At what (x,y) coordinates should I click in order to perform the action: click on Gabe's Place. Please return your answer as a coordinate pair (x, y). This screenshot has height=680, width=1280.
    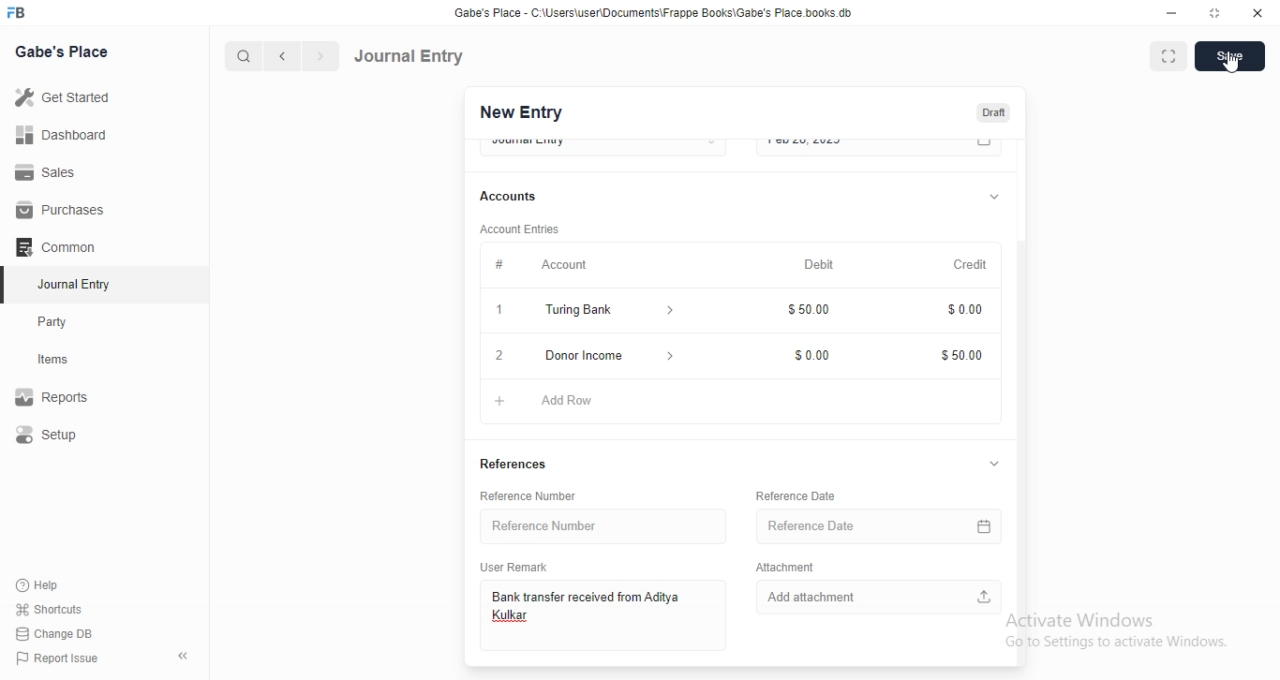
    Looking at the image, I should click on (62, 51).